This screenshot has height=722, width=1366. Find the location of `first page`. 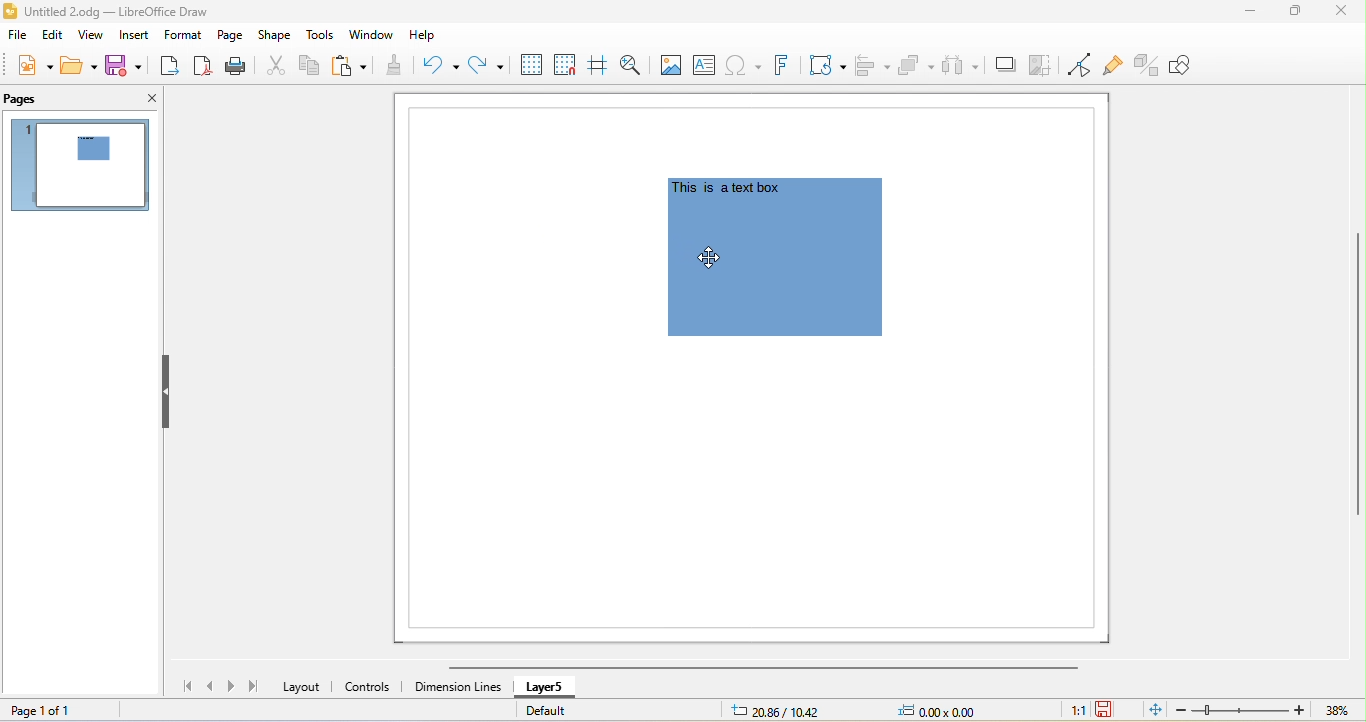

first page is located at coordinates (190, 687).